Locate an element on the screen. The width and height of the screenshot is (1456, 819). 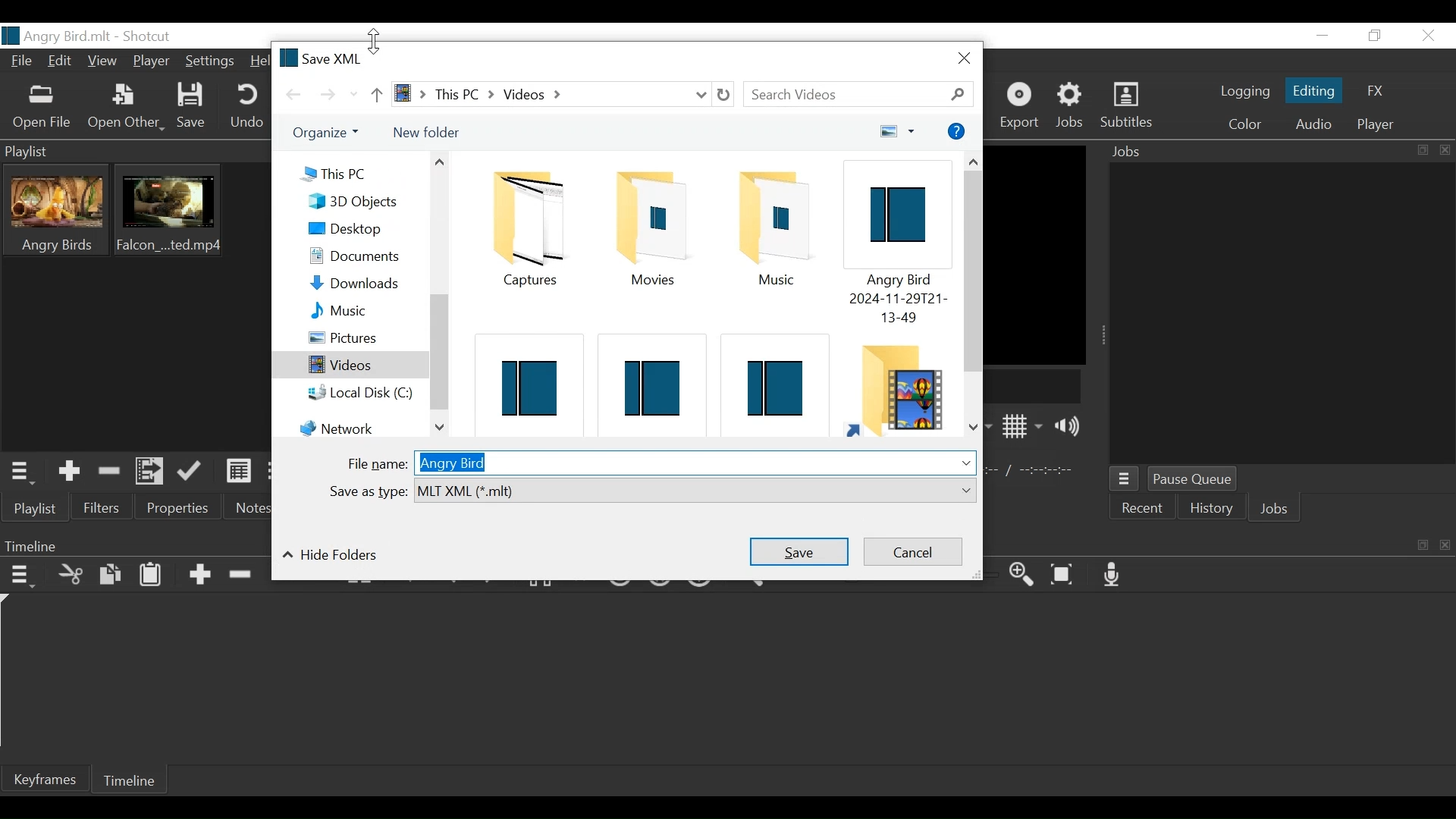
Hide folders is located at coordinates (328, 555).